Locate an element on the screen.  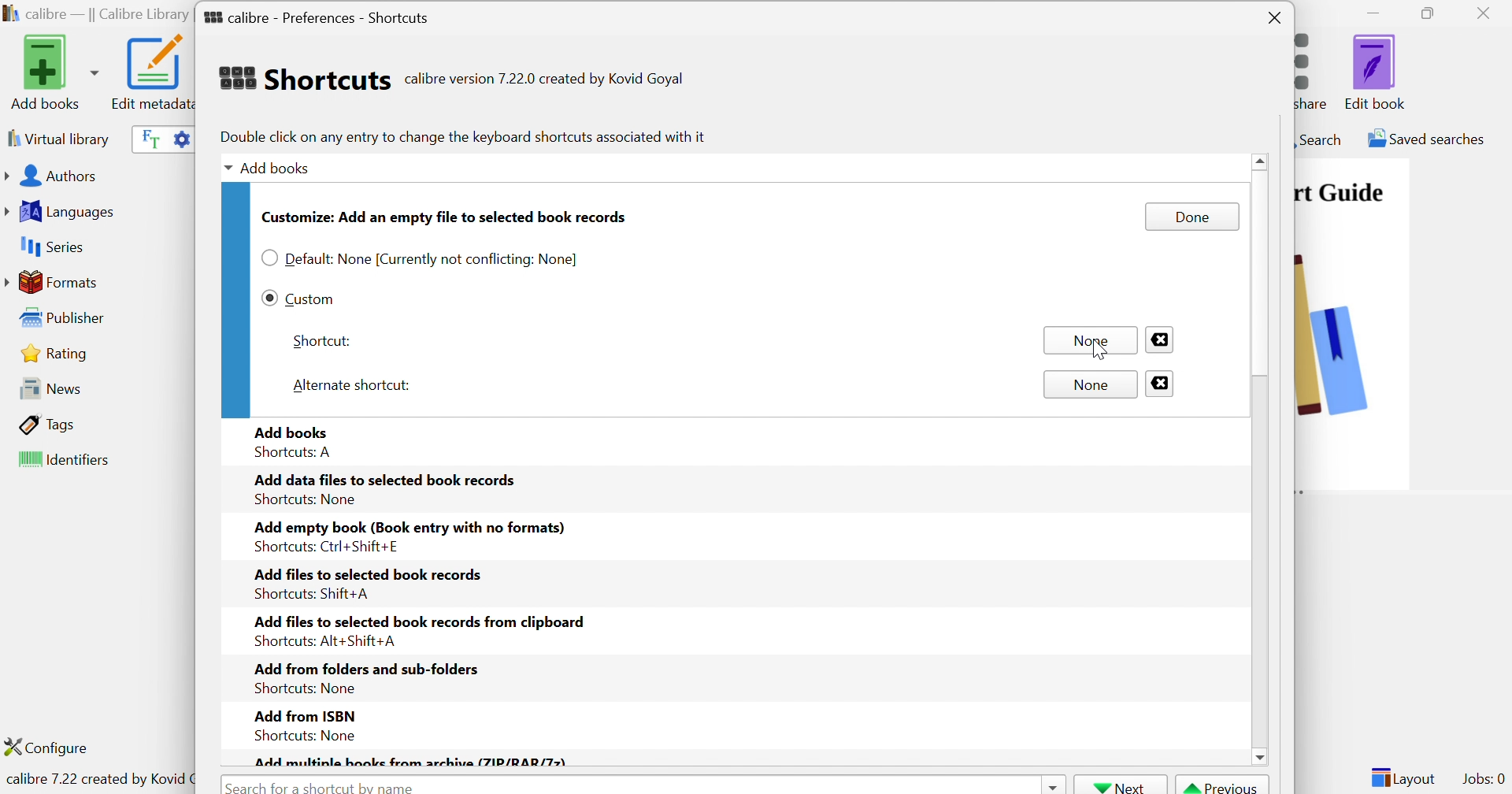
Shortcuts: None is located at coordinates (306, 499).